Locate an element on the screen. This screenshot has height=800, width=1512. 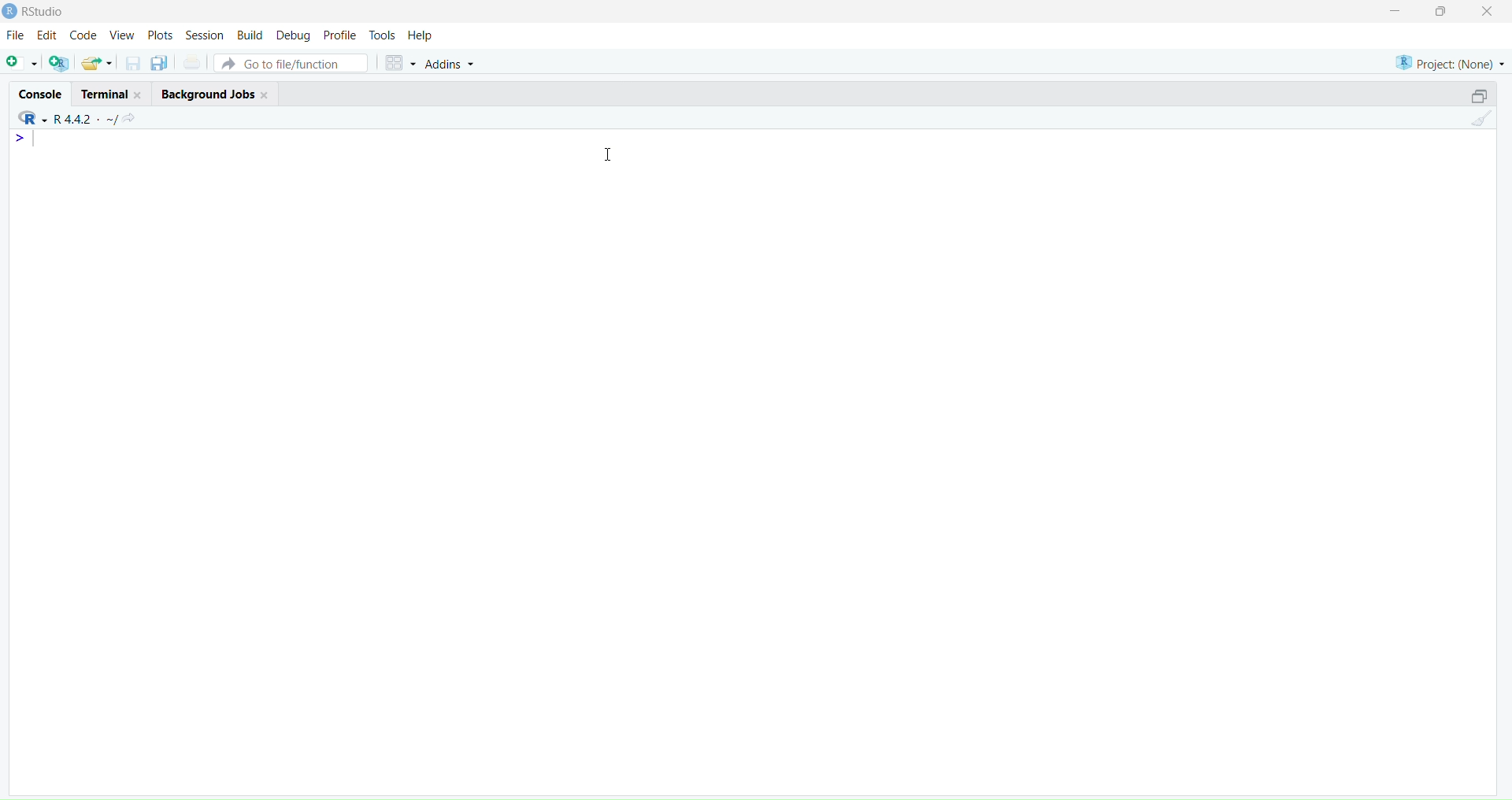
grid view is located at coordinates (397, 65).